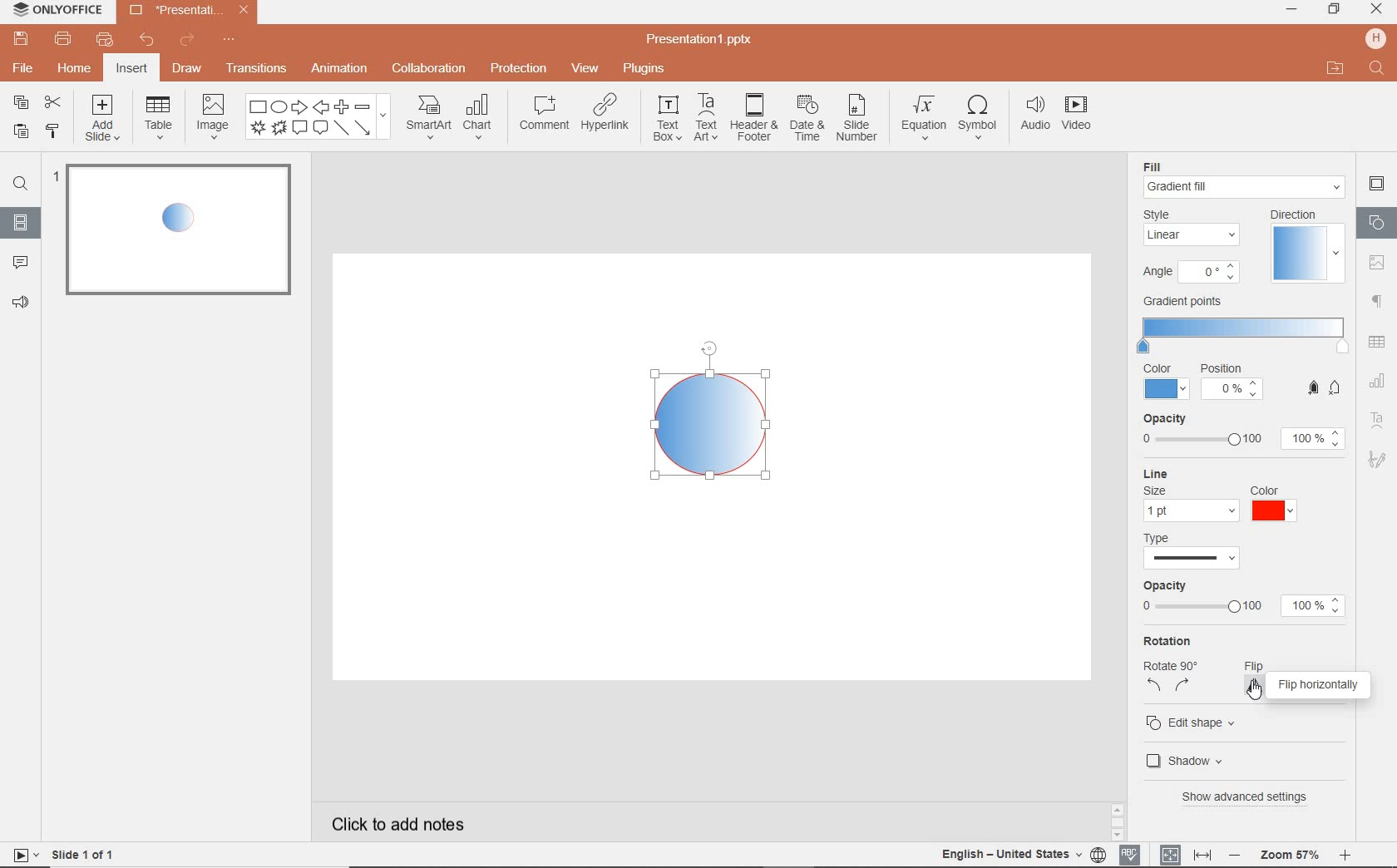  What do you see at coordinates (1380, 460) in the screenshot?
I see `signature` at bounding box center [1380, 460].